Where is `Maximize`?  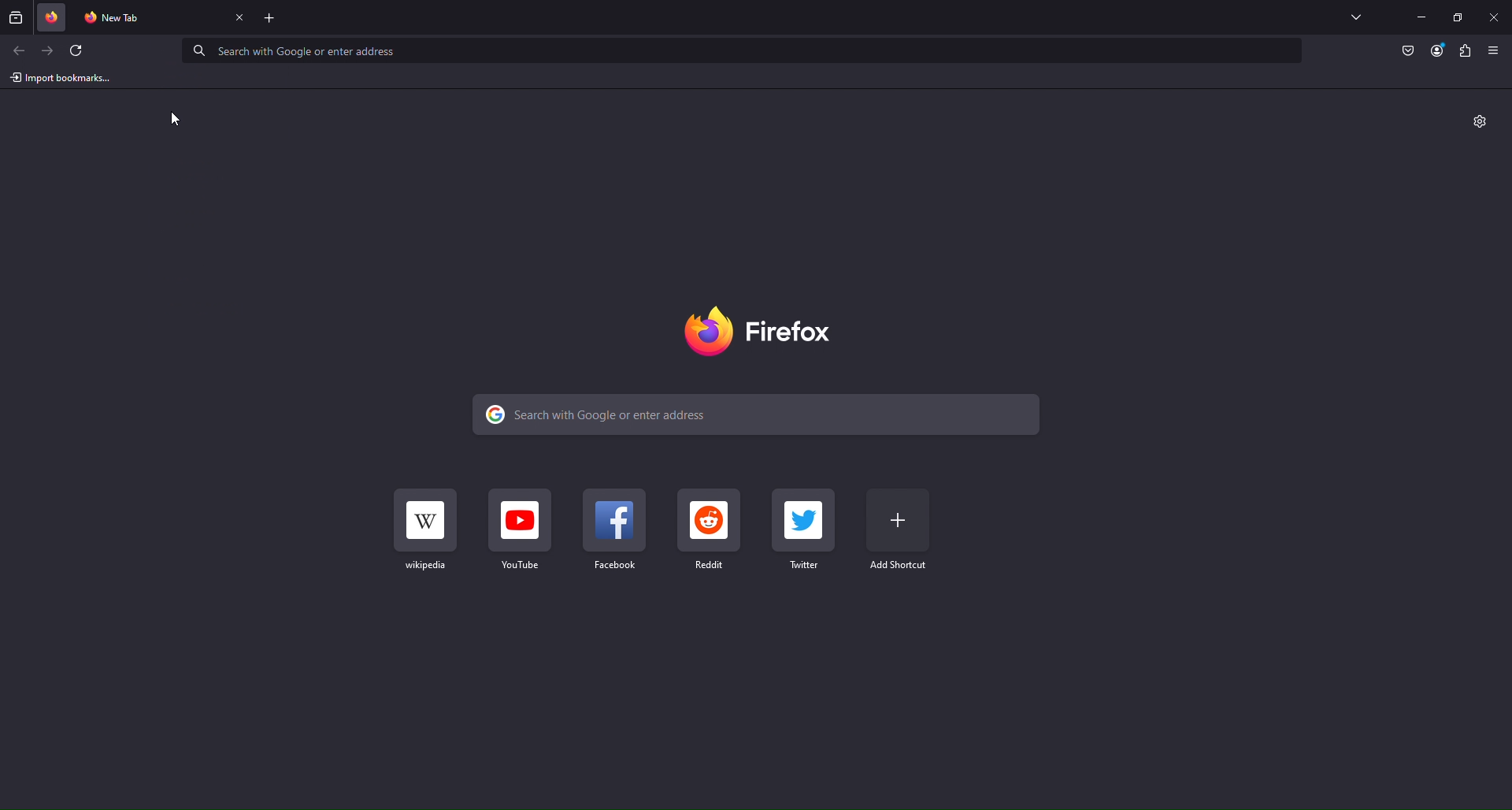
Maximize is located at coordinates (1458, 17).